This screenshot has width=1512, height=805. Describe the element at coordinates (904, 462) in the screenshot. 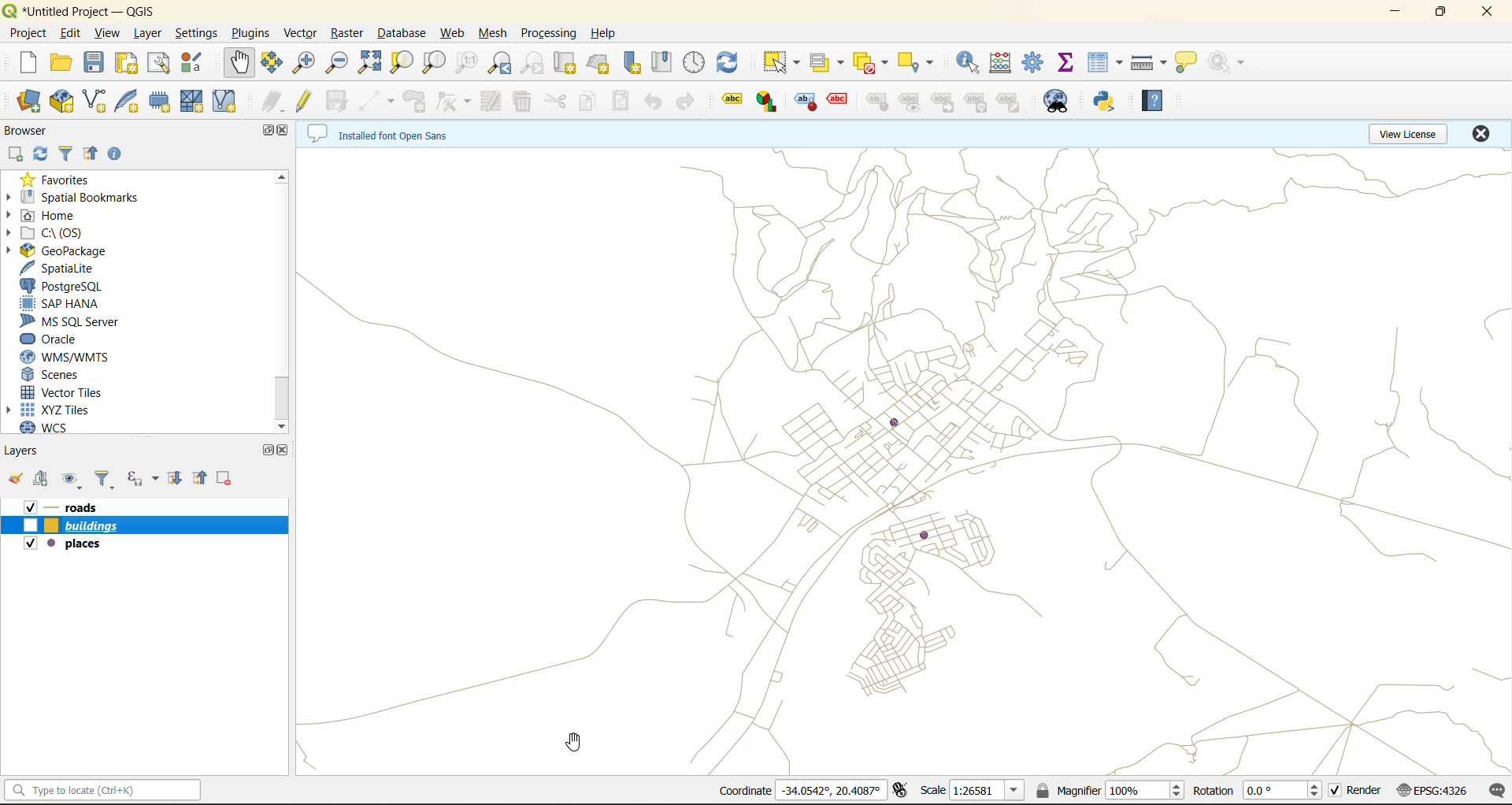

I see `canvas` at that location.